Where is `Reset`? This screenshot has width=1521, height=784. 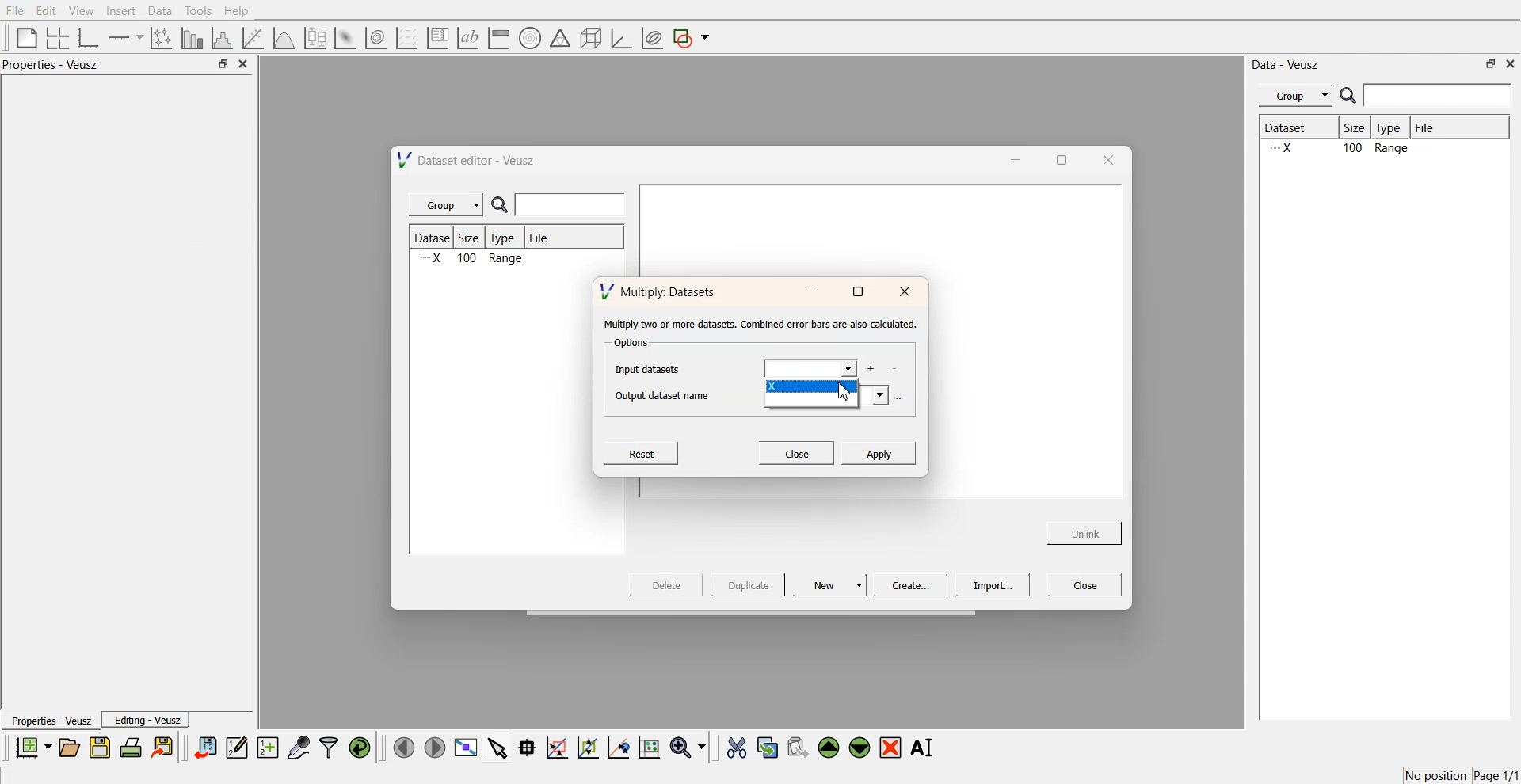
Reset is located at coordinates (644, 453).